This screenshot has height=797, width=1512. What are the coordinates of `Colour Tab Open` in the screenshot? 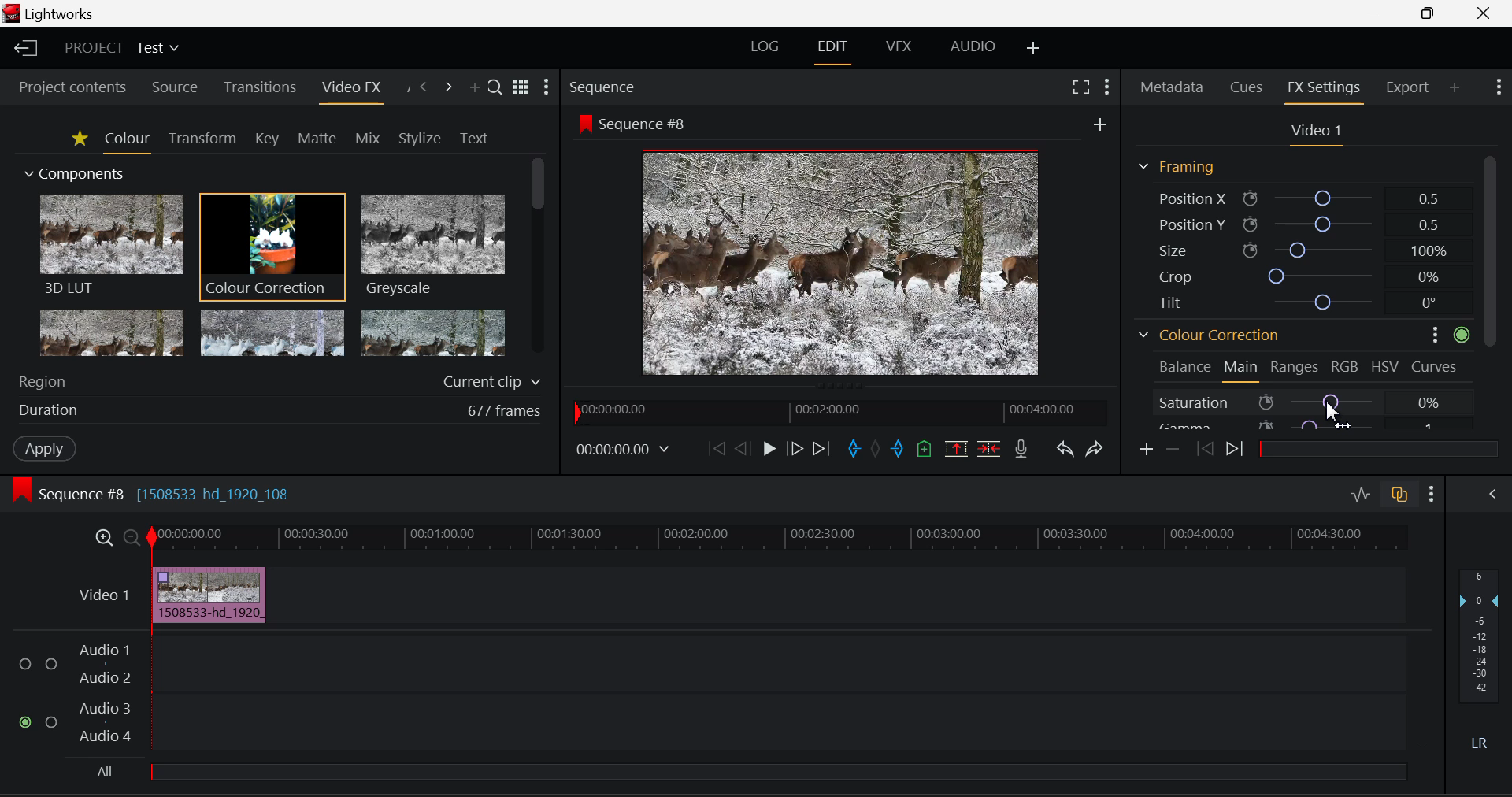 It's located at (127, 140).